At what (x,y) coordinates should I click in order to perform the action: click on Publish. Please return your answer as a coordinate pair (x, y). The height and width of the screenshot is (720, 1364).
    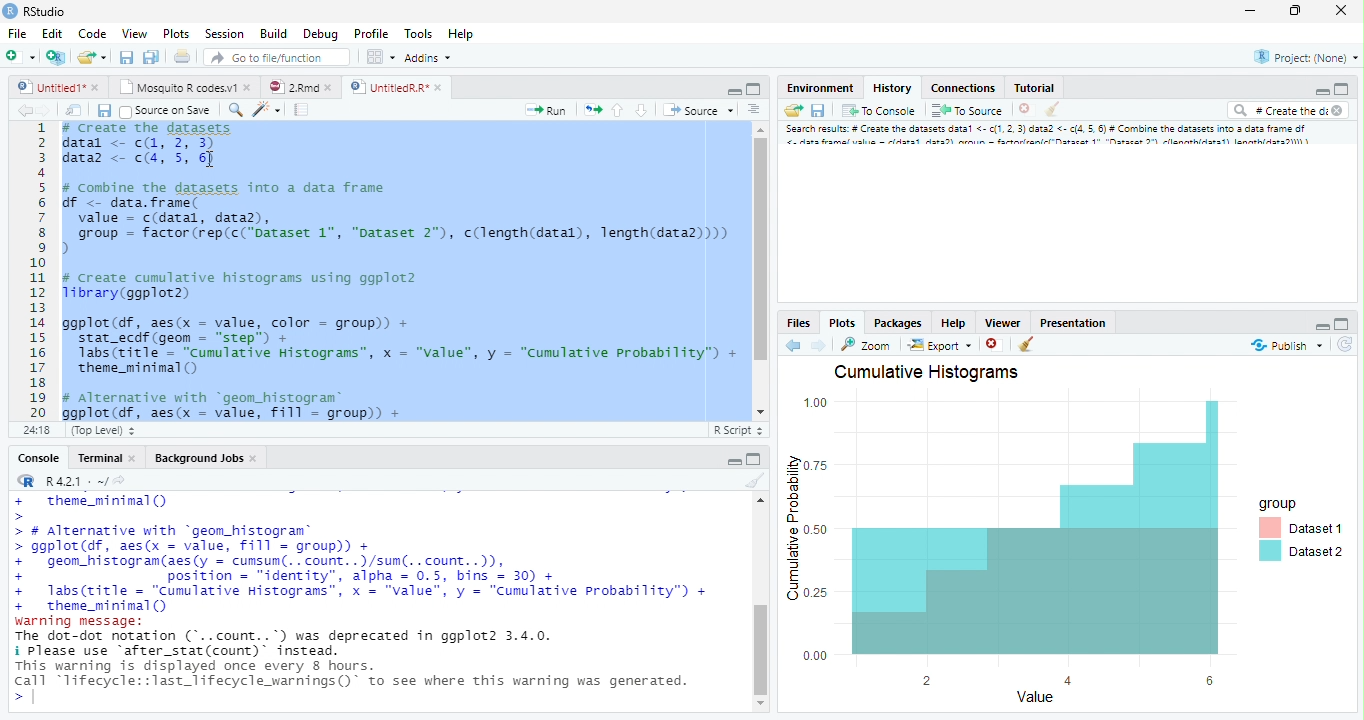
    Looking at the image, I should click on (1285, 347).